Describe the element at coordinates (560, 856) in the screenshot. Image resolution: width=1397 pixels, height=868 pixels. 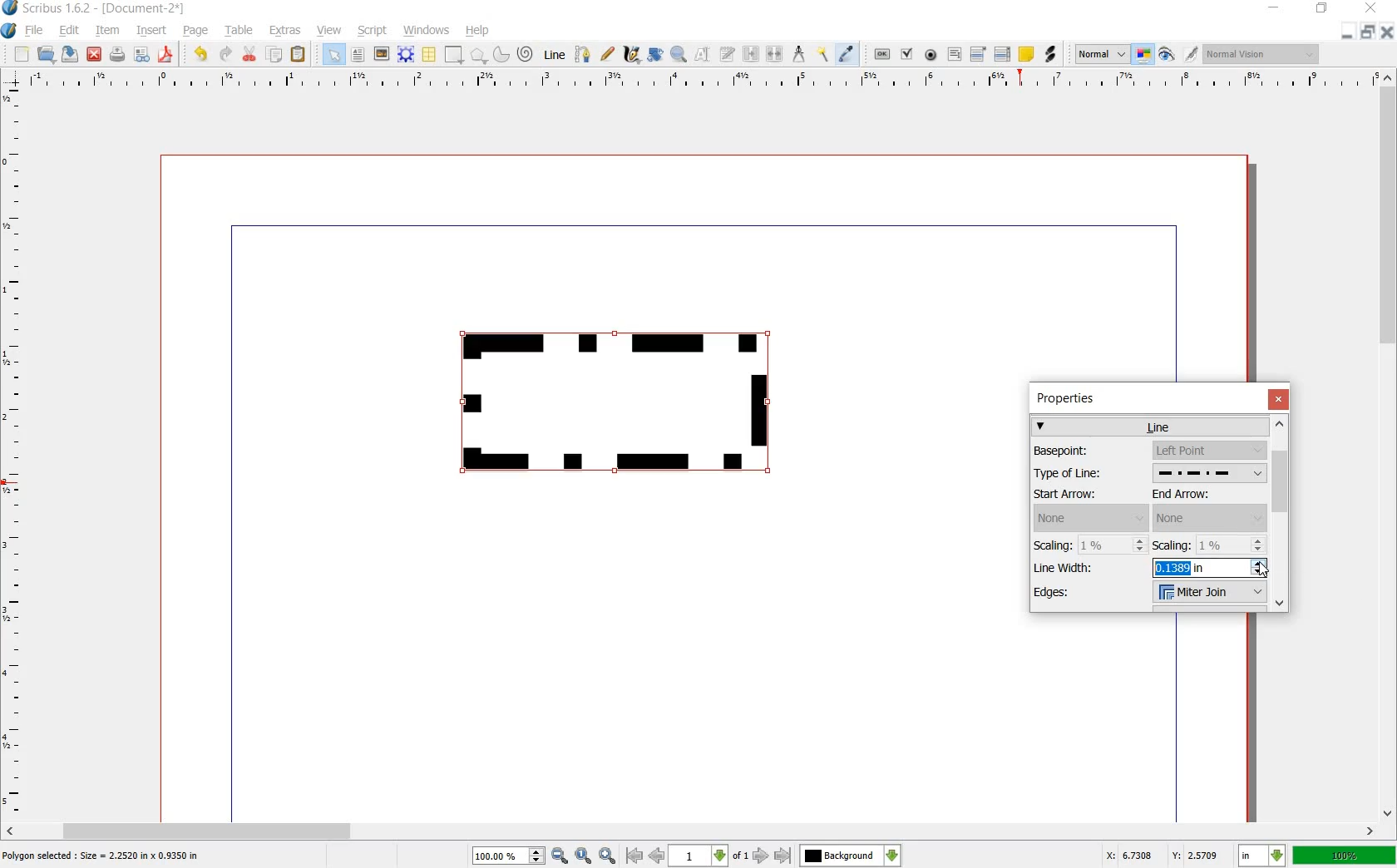
I see `zoom out` at that location.